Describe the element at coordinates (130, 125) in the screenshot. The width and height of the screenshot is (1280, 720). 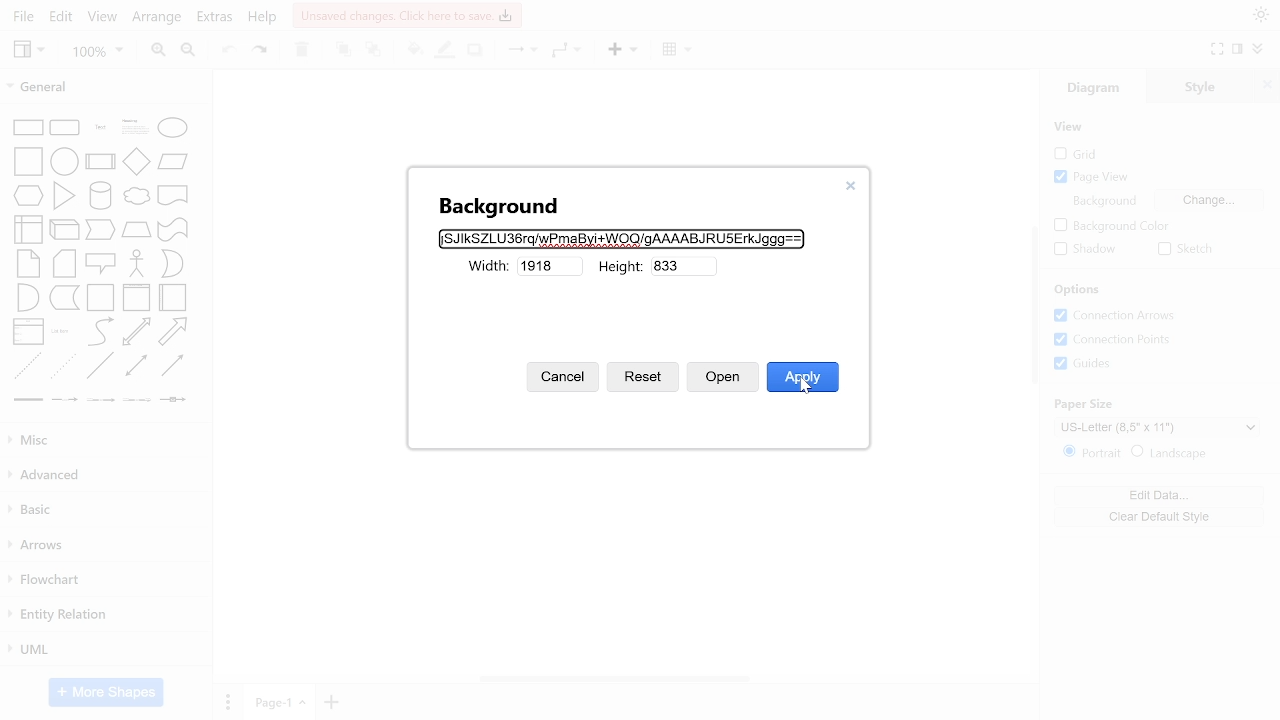
I see `general shapes` at that location.